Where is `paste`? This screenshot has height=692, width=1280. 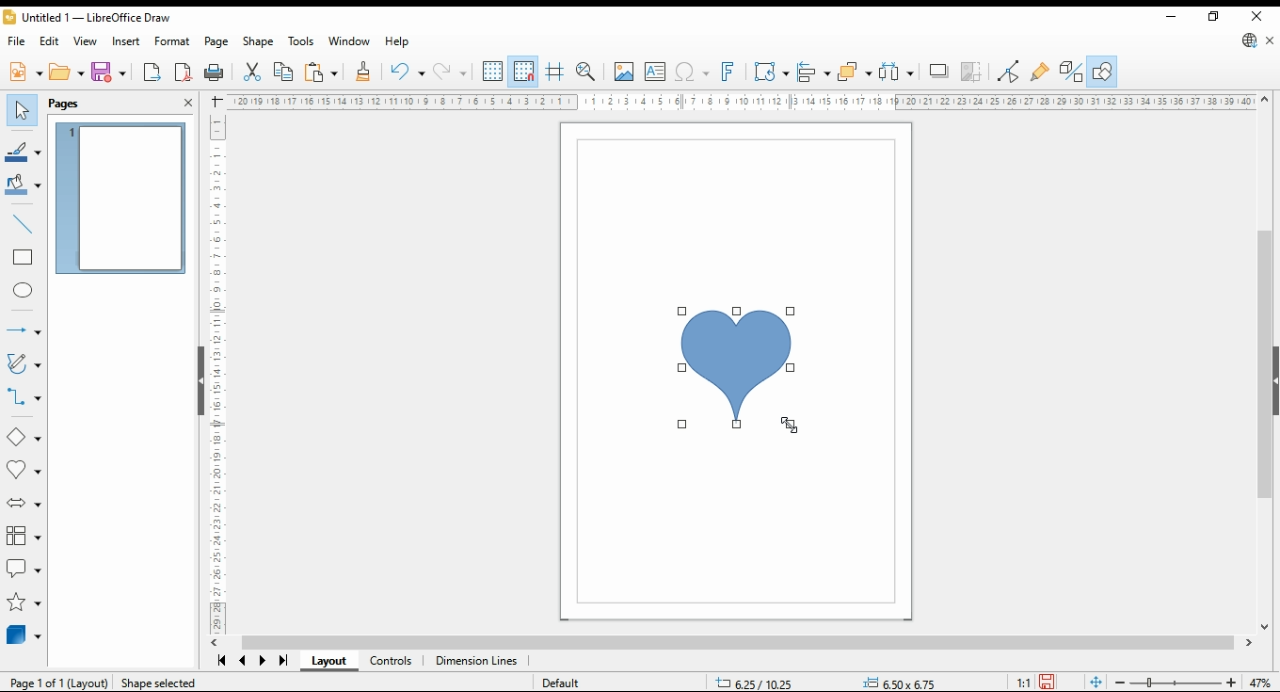
paste is located at coordinates (320, 72).